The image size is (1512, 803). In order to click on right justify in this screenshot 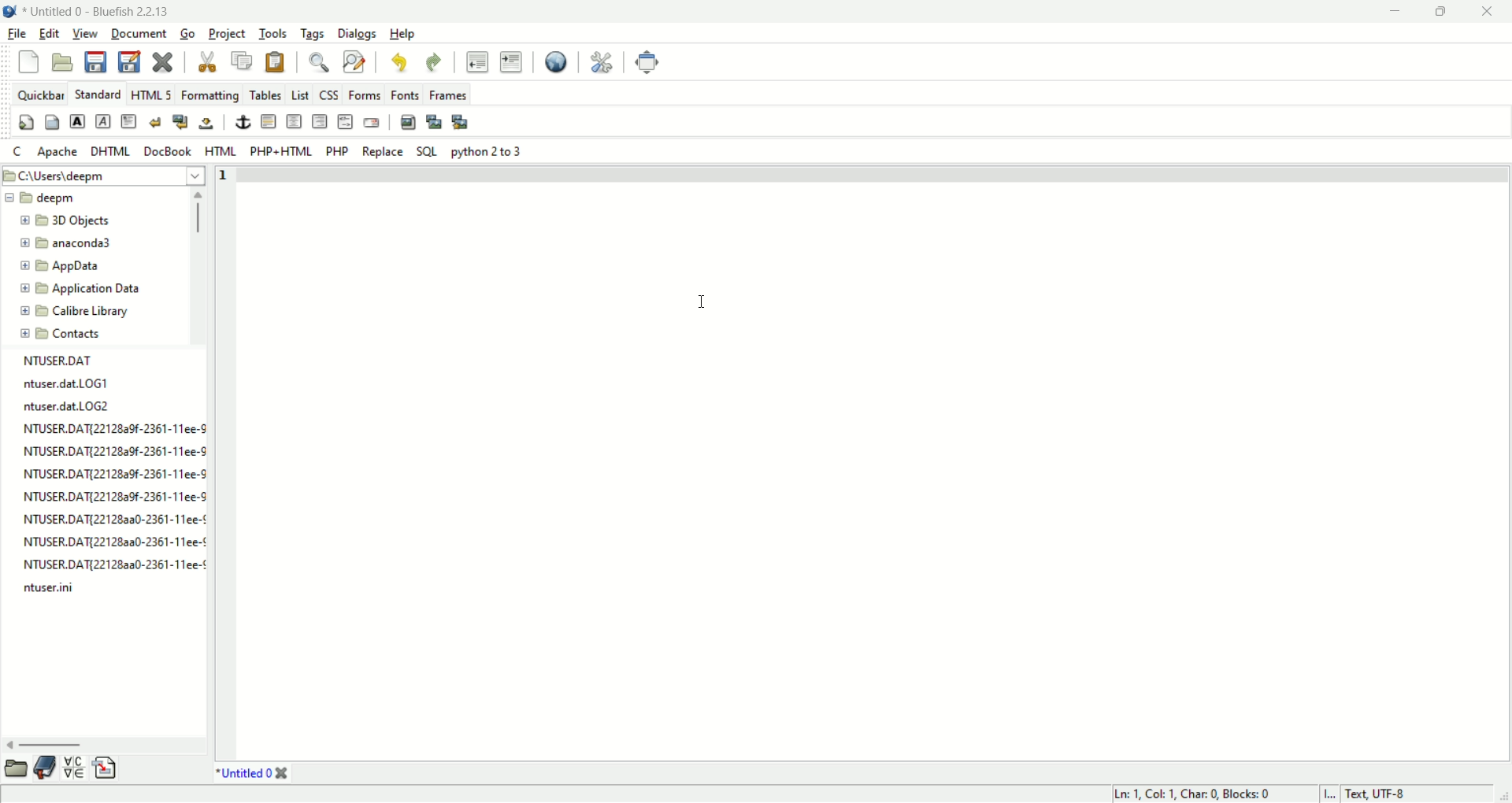, I will do `click(318, 121)`.